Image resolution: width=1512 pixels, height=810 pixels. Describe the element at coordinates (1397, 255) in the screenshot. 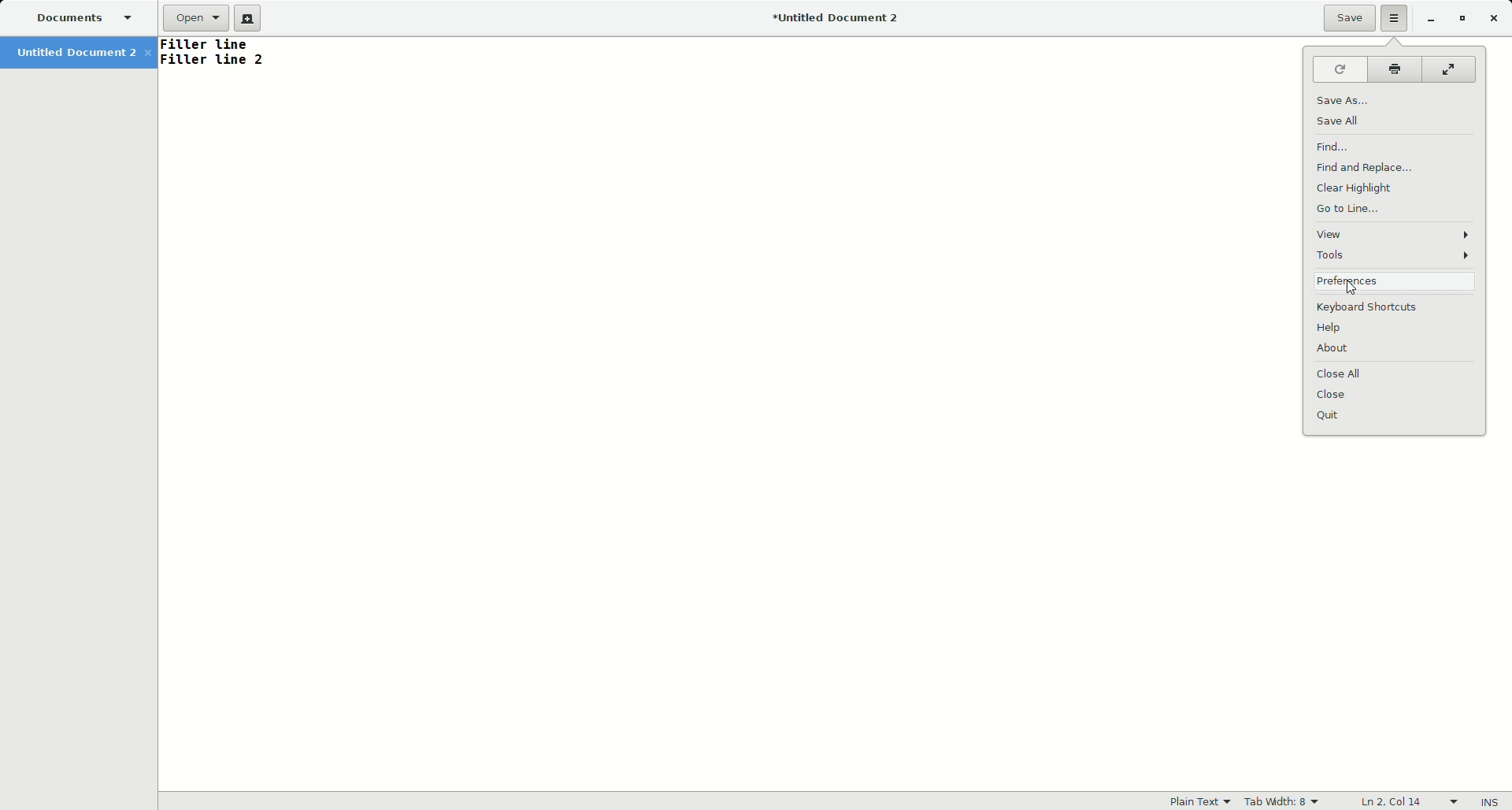

I see `Tools` at that location.